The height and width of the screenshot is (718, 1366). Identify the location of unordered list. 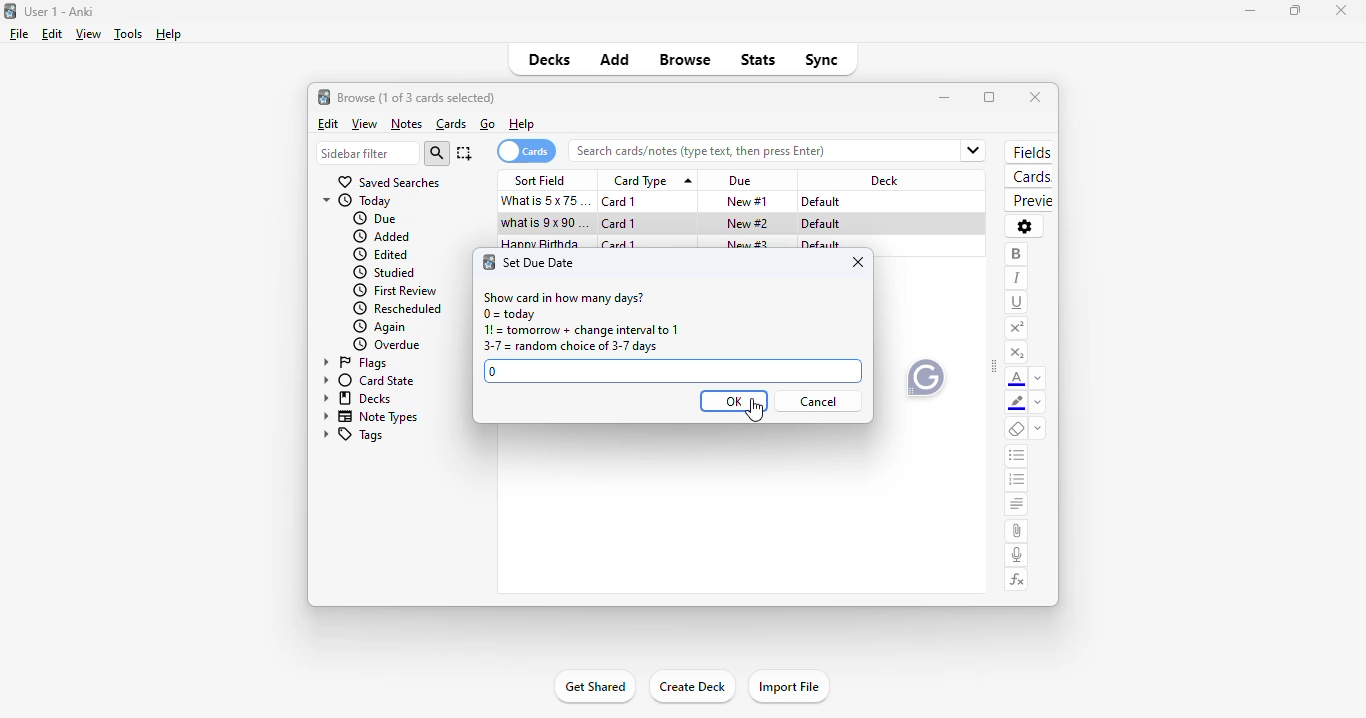
(1018, 455).